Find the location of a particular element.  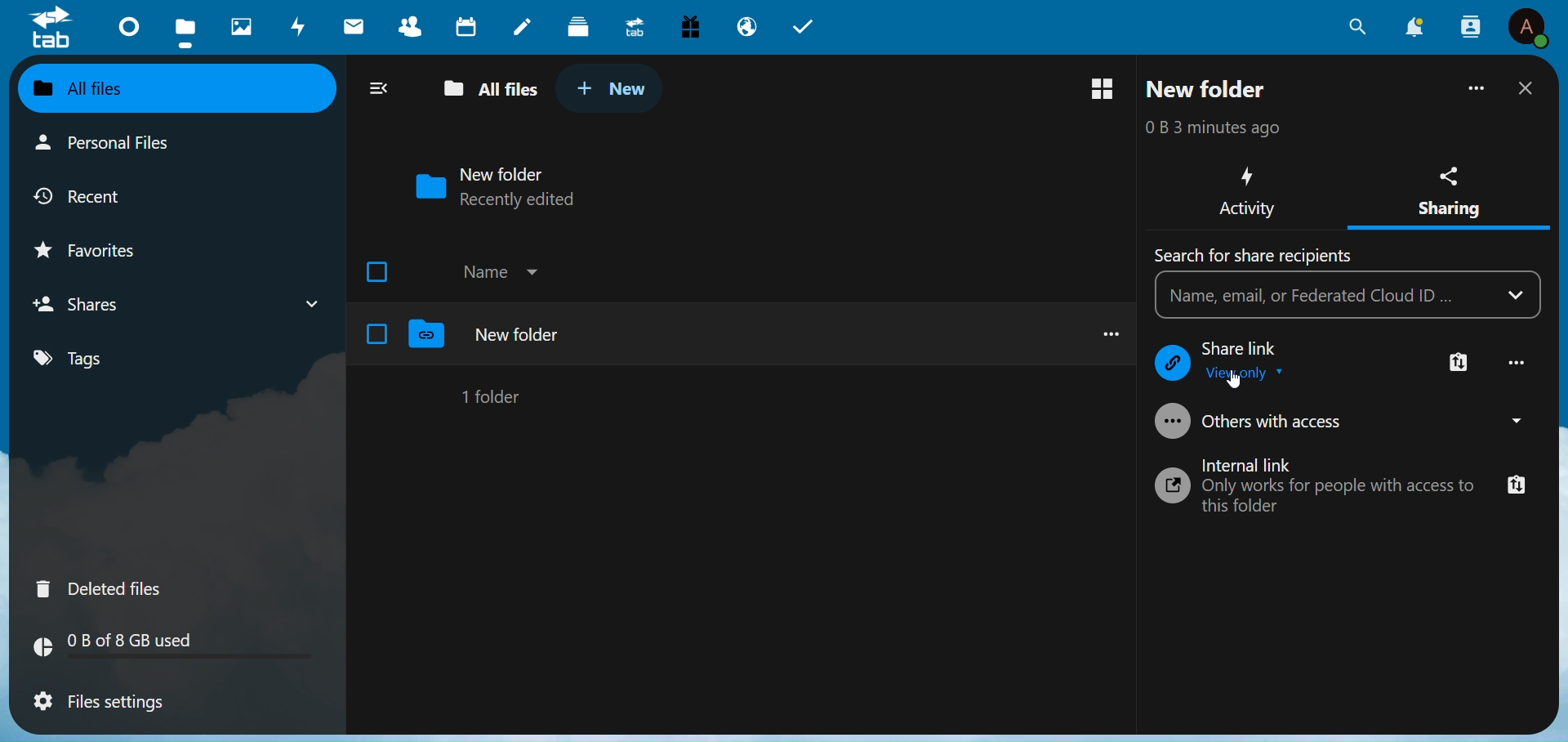

Deck is located at coordinates (576, 24).